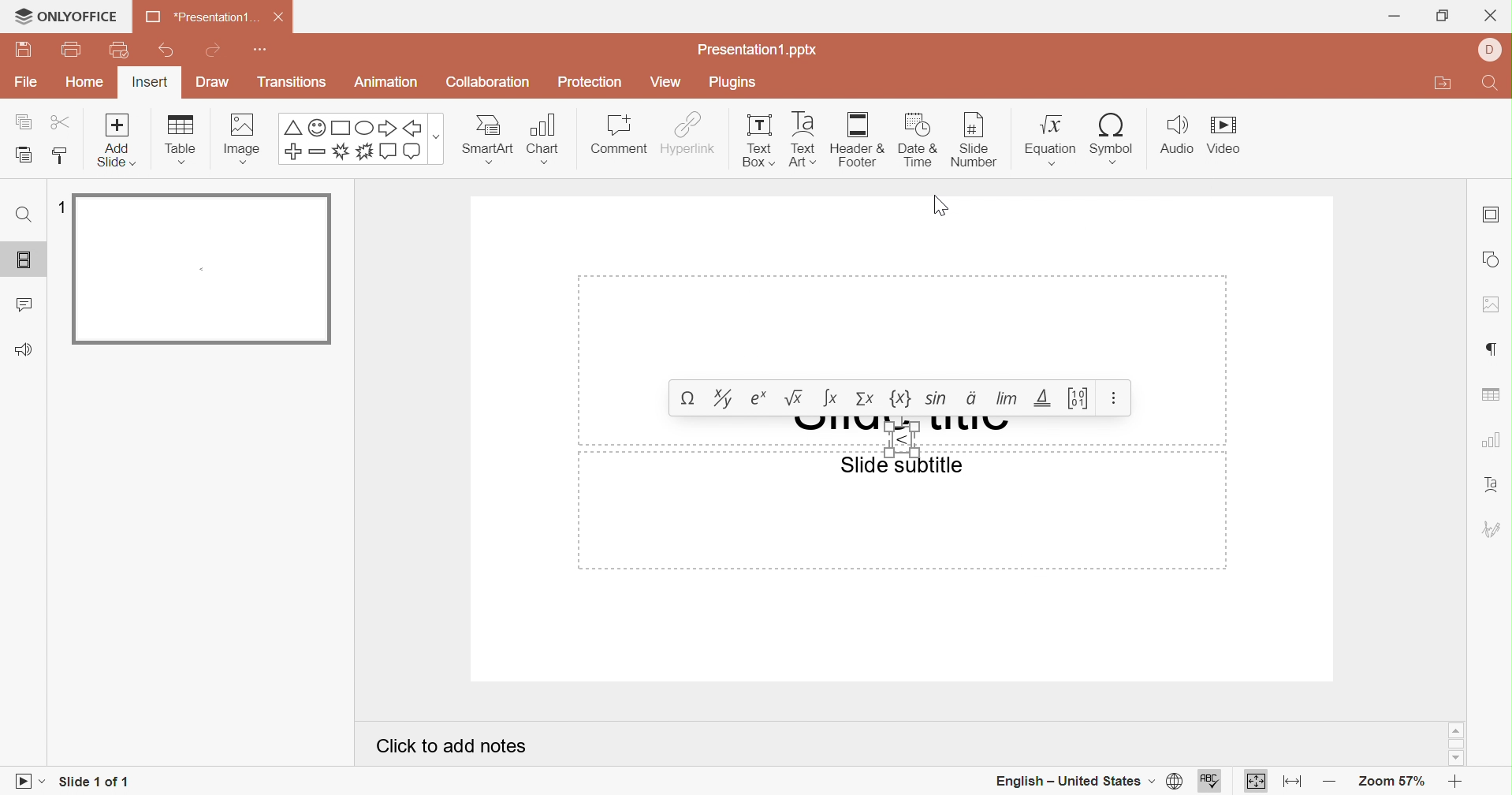 The image size is (1512, 795). Describe the element at coordinates (1454, 730) in the screenshot. I see `Scroll Up` at that location.